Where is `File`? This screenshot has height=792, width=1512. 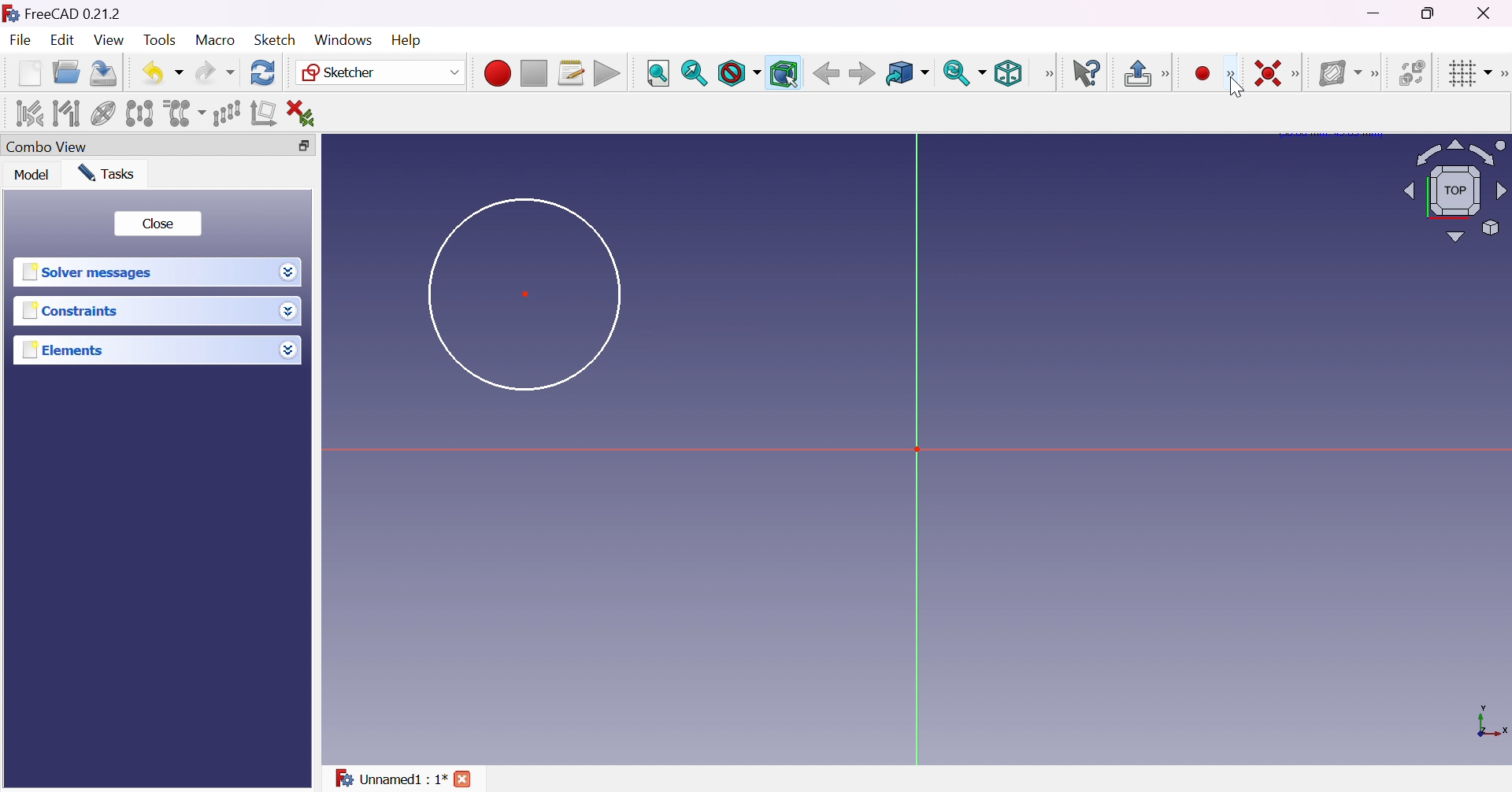
File is located at coordinates (22, 42).